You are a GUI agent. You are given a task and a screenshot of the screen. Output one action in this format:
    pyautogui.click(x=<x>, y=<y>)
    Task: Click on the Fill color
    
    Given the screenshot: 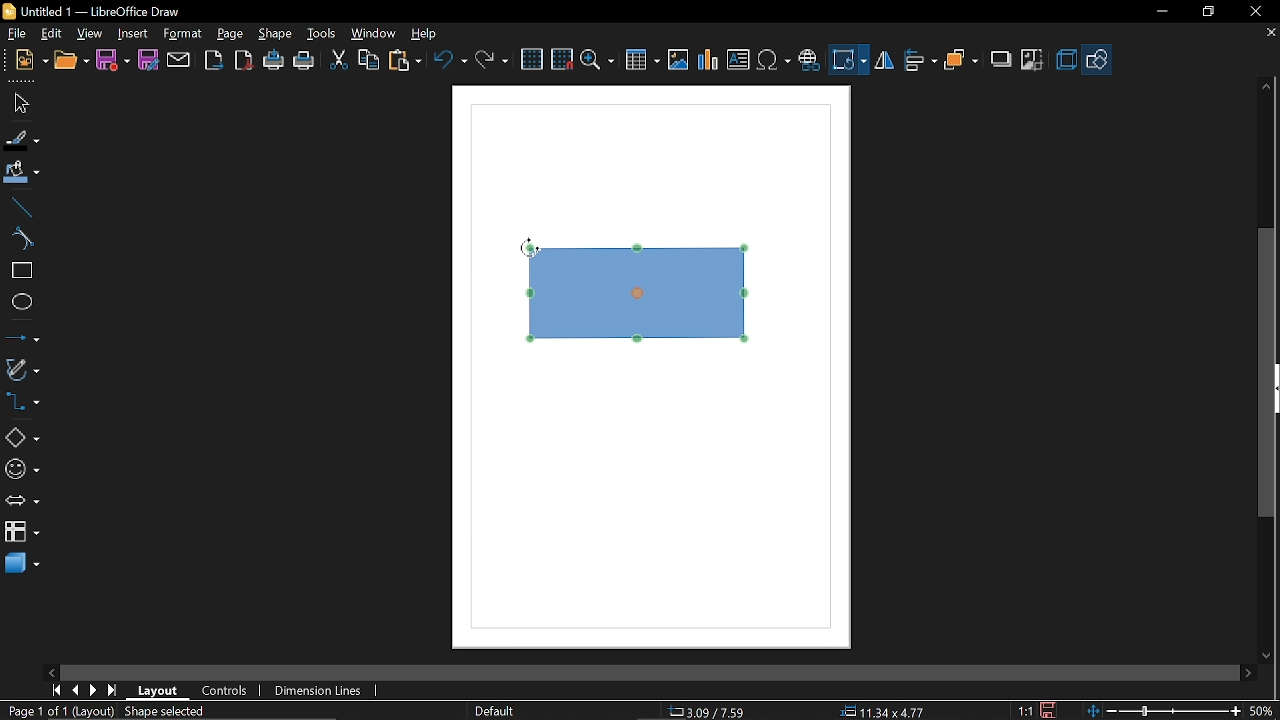 What is the action you would take?
    pyautogui.click(x=22, y=173)
    